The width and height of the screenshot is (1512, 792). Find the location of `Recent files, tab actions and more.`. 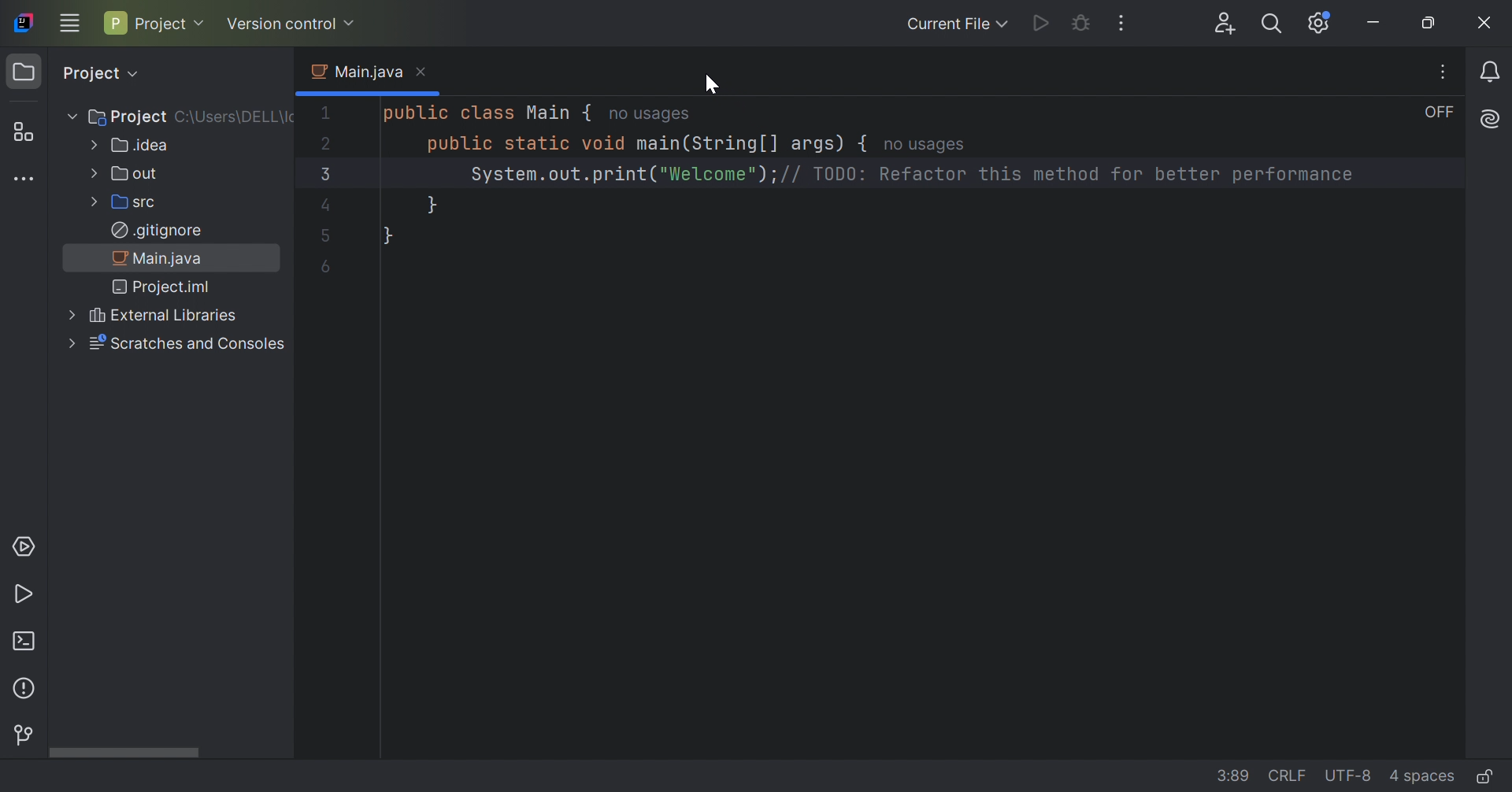

Recent files, tab actions and more. is located at coordinates (1445, 72).